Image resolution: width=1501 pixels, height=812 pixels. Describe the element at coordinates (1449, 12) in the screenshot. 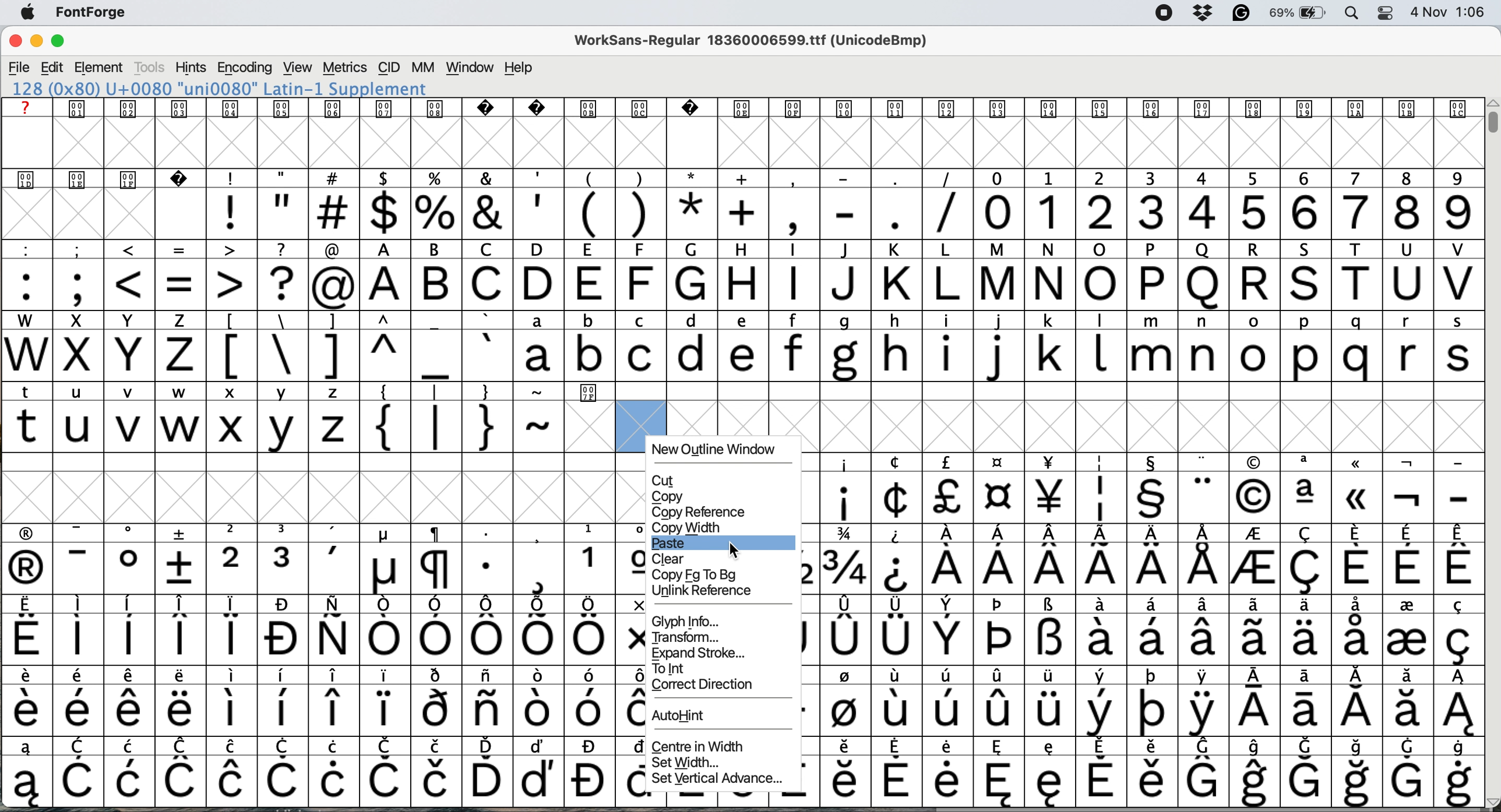

I see `date and time` at that location.